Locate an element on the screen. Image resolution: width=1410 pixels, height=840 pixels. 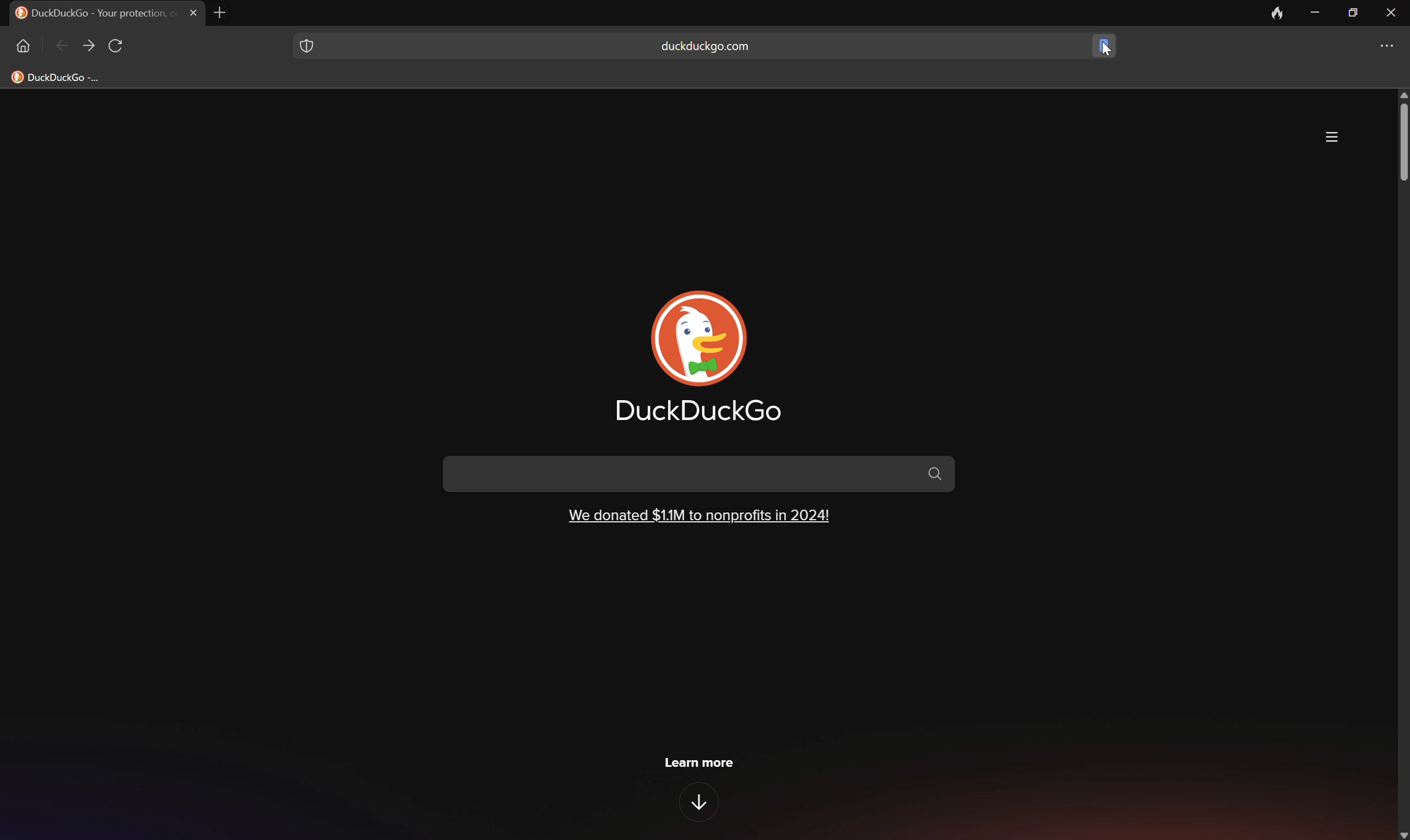
Import Bookmarks is located at coordinates (65, 76).